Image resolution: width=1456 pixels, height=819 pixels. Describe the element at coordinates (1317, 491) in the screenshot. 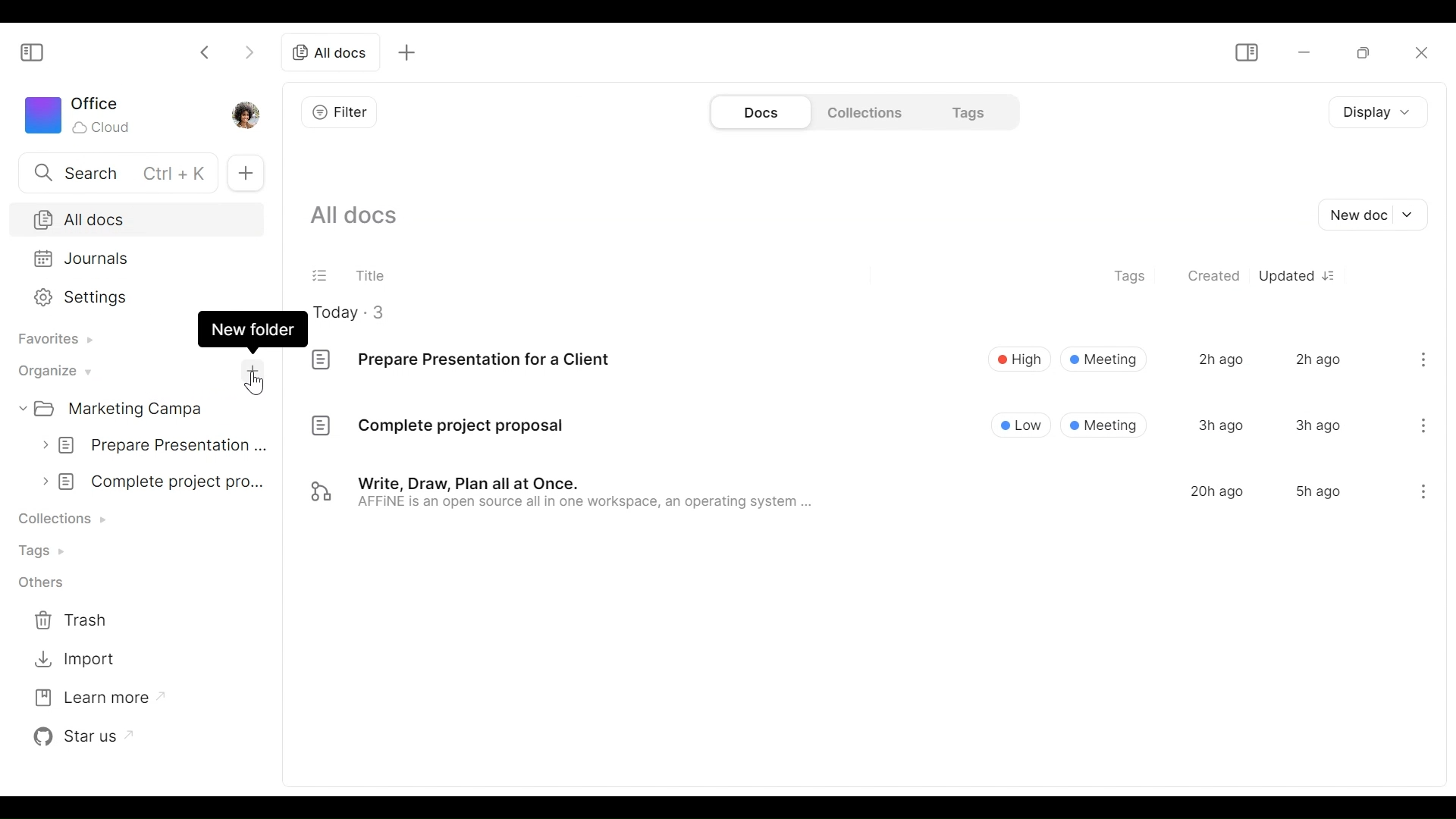

I see `5h ago` at that location.